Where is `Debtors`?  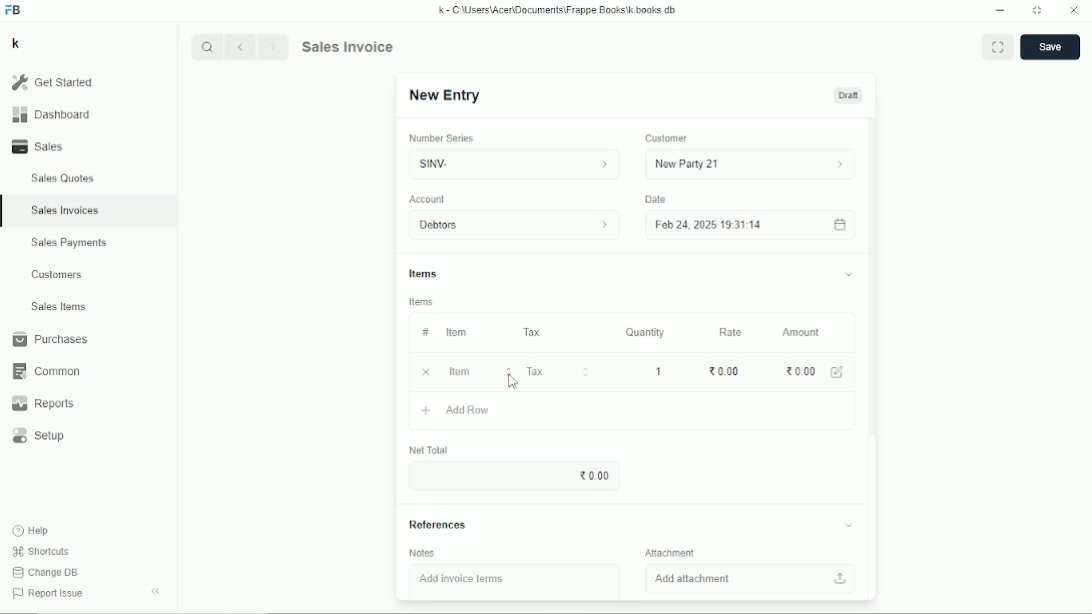 Debtors is located at coordinates (516, 225).